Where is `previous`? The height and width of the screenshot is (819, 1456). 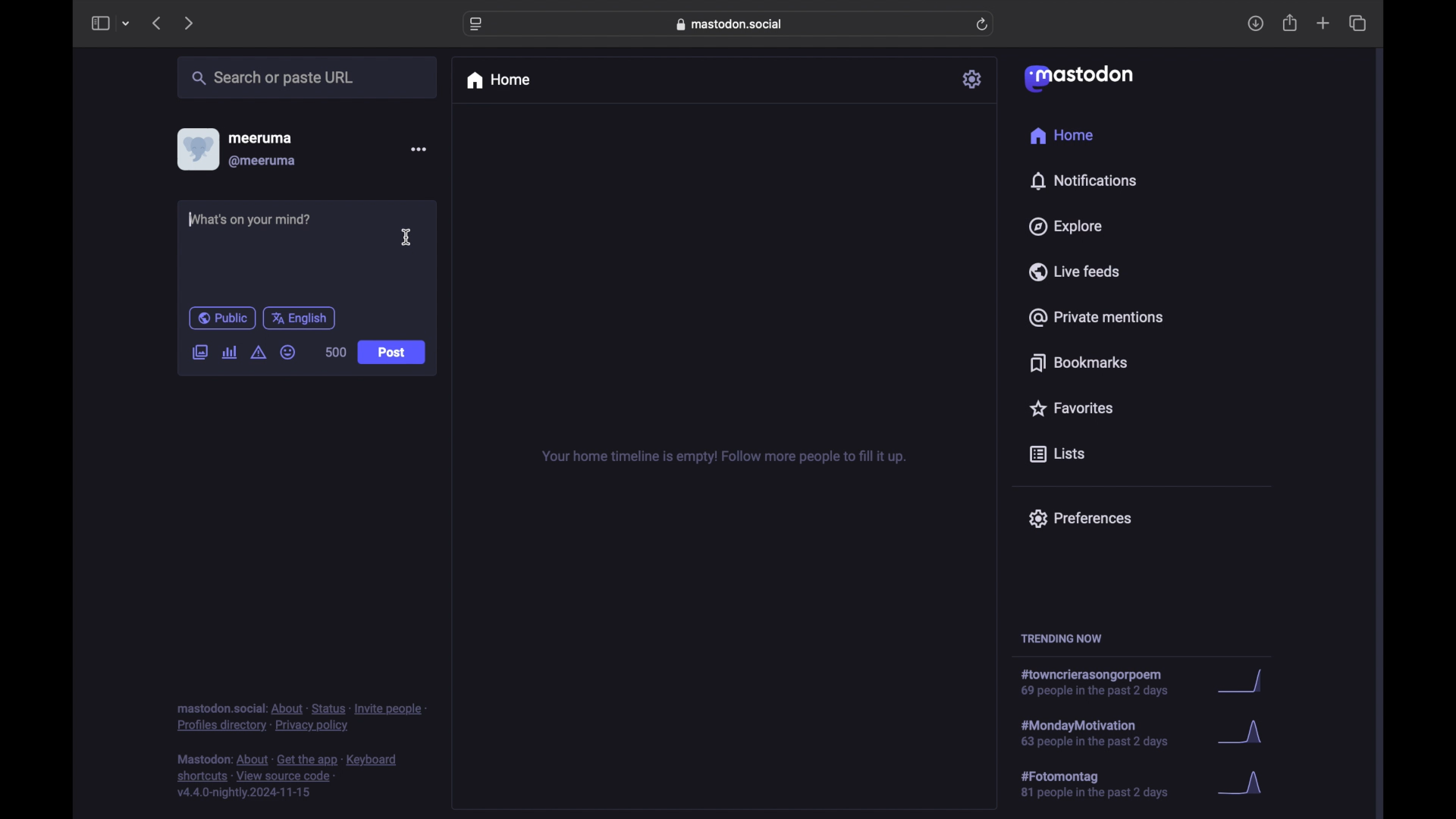 previous is located at coordinates (156, 23).